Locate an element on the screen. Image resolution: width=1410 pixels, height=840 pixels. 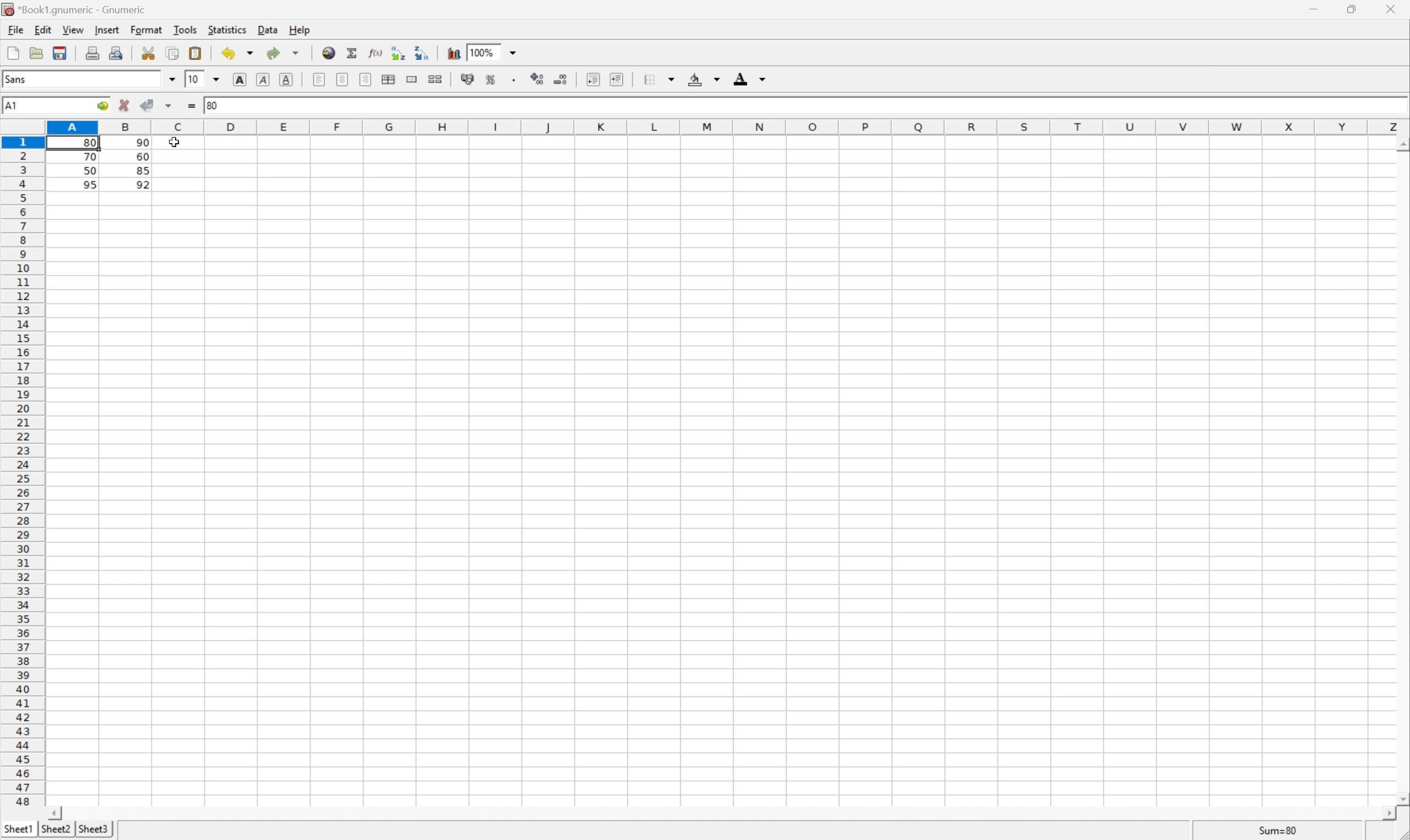
Save the current file is located at coordinates (59, 52).